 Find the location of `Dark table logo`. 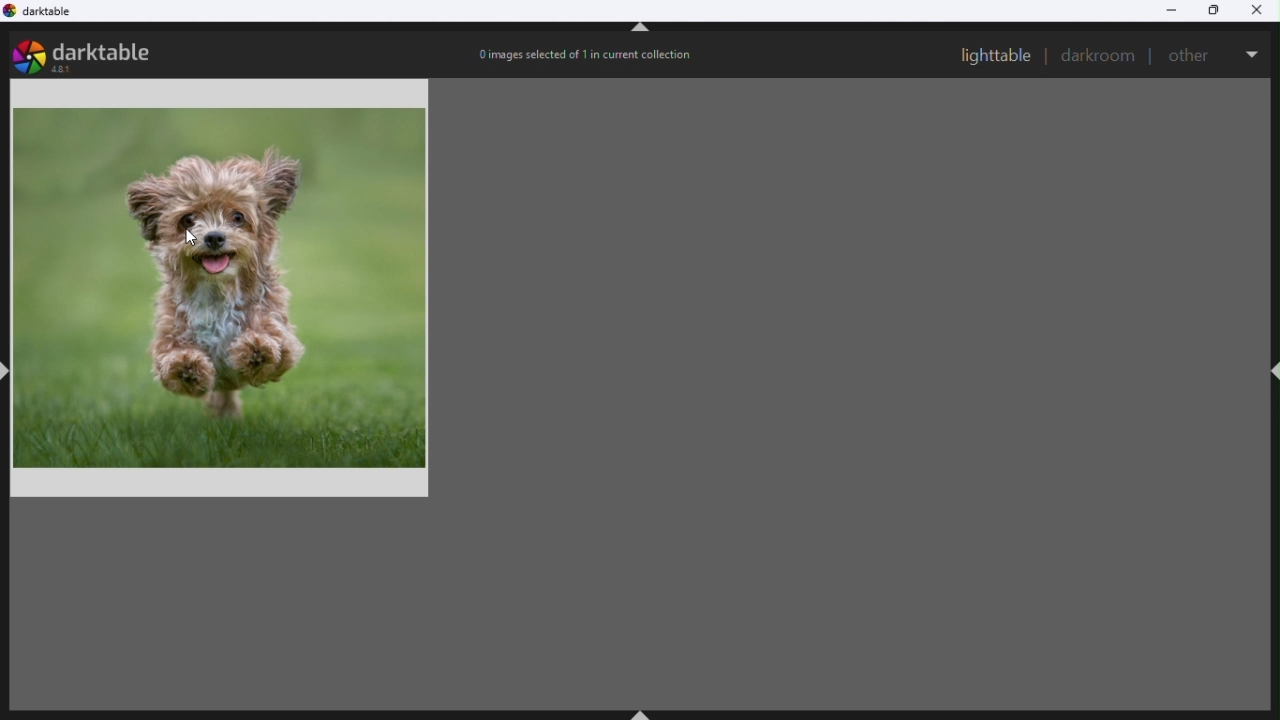

Dark table logo is located at coordinates (92, 52).